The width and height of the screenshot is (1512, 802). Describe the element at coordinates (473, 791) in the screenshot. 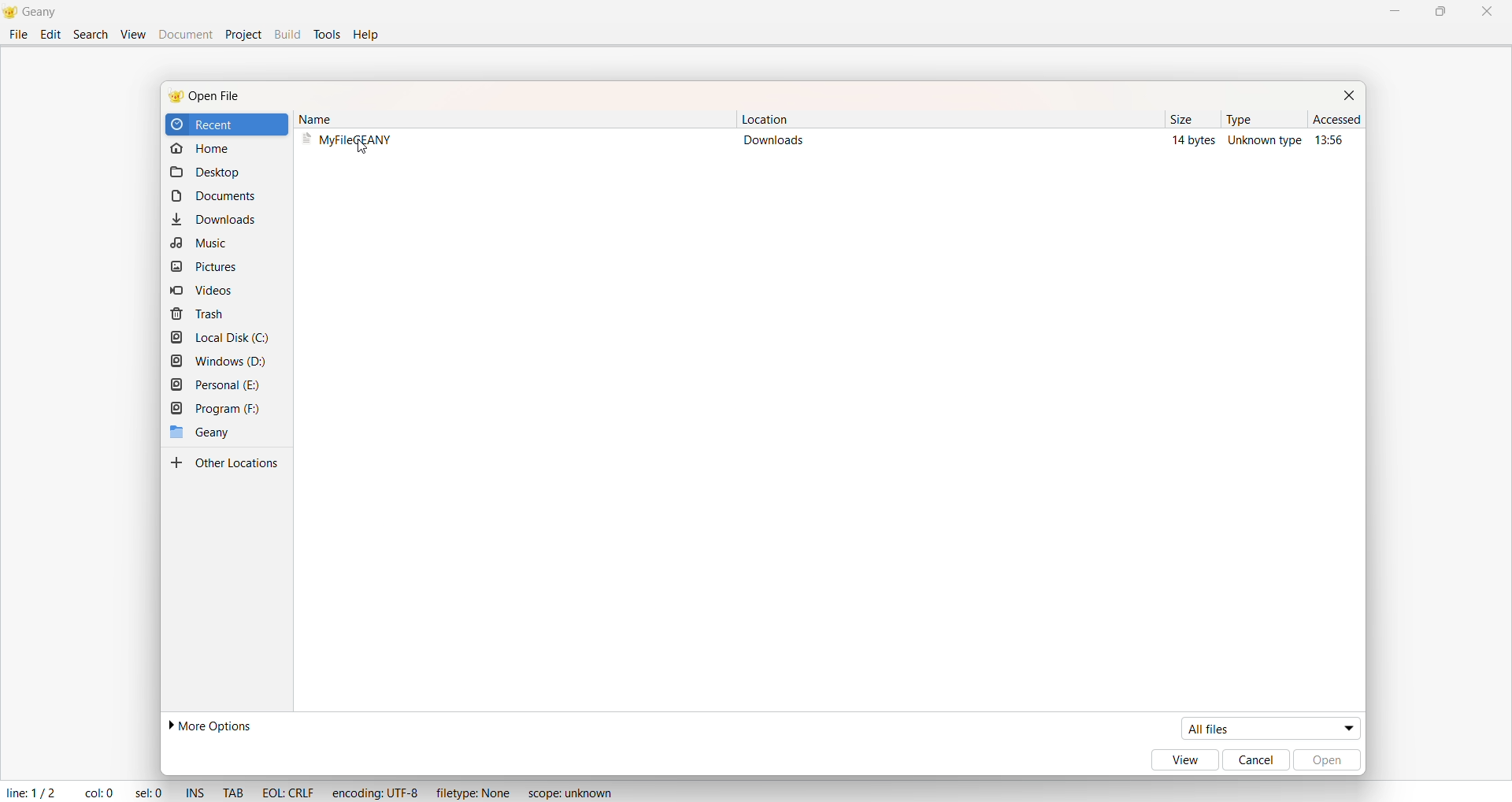

I see `FileType: None` at that location.